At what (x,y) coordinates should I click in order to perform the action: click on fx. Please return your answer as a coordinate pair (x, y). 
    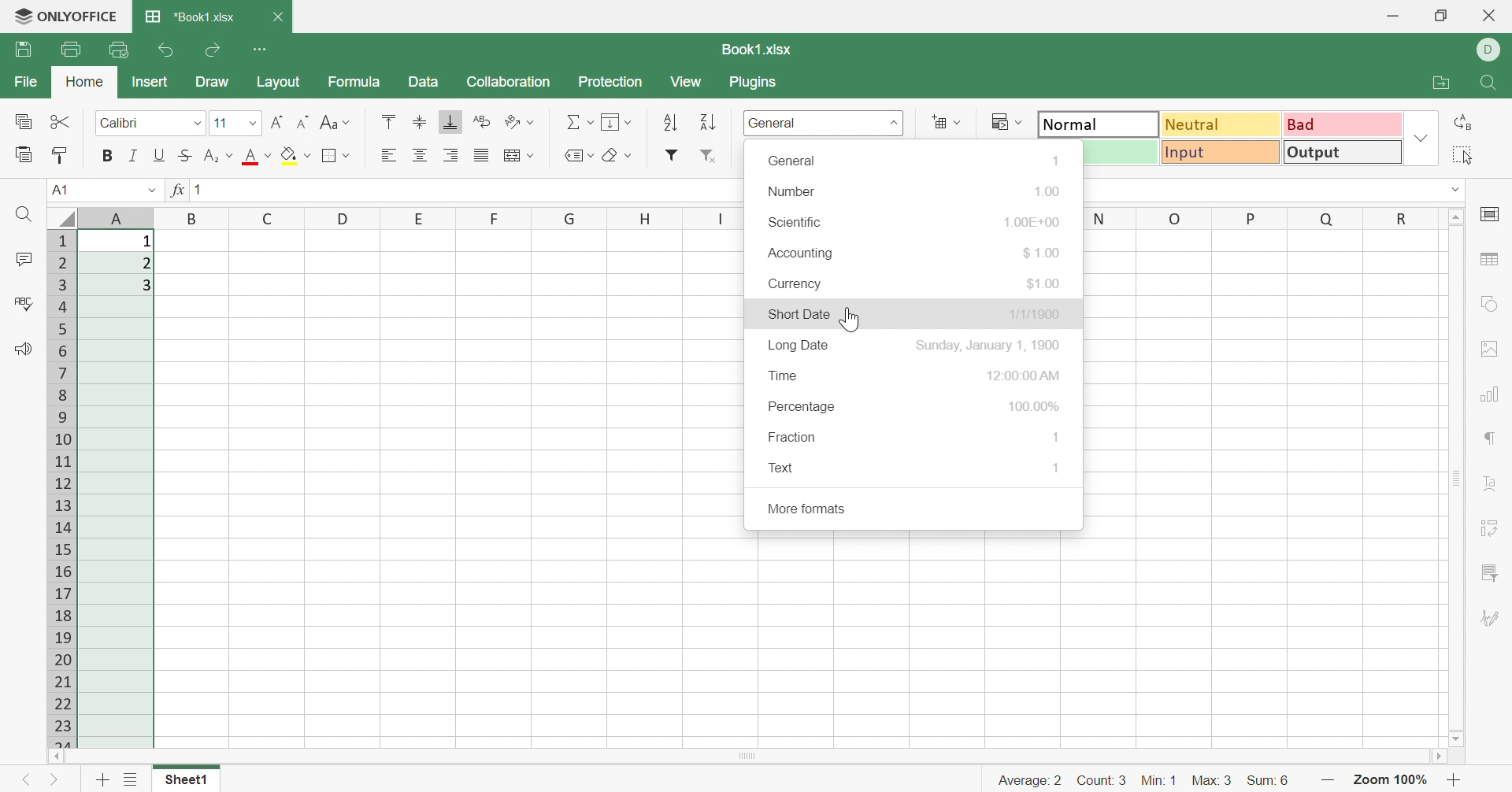
    Looking at the image, I should click on (176, 189).